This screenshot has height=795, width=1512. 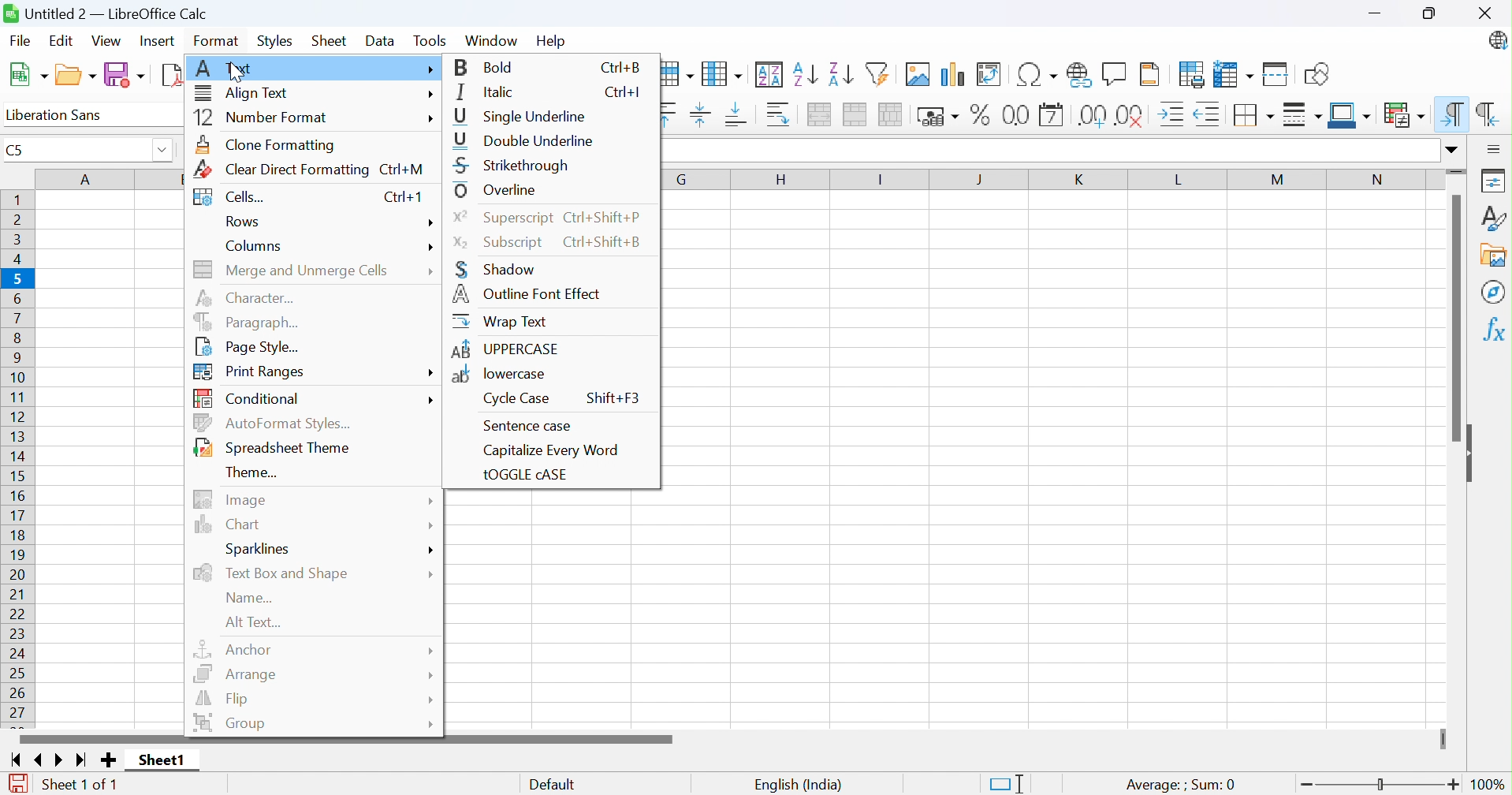 What do you see at coordinates (430, 553) in the screenshot?
I see `` at bounding box center [430, 553].